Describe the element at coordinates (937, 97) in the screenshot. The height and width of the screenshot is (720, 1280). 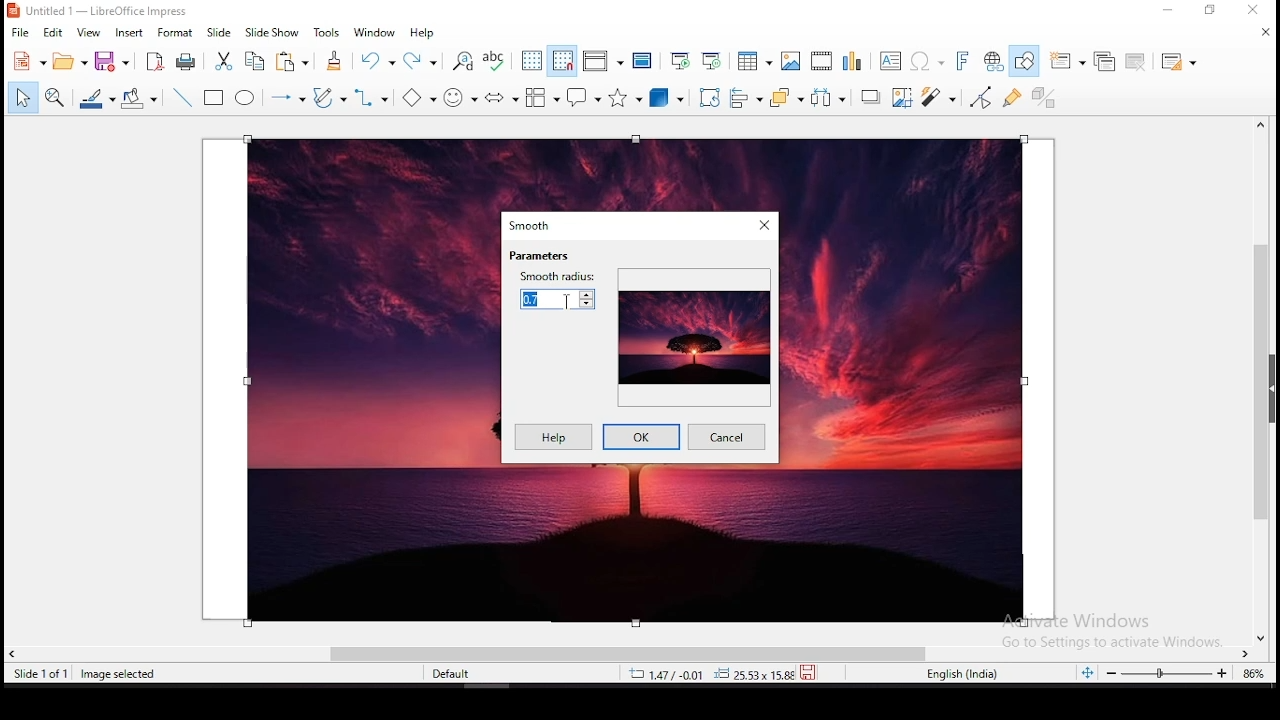
I see `filter` at that location.